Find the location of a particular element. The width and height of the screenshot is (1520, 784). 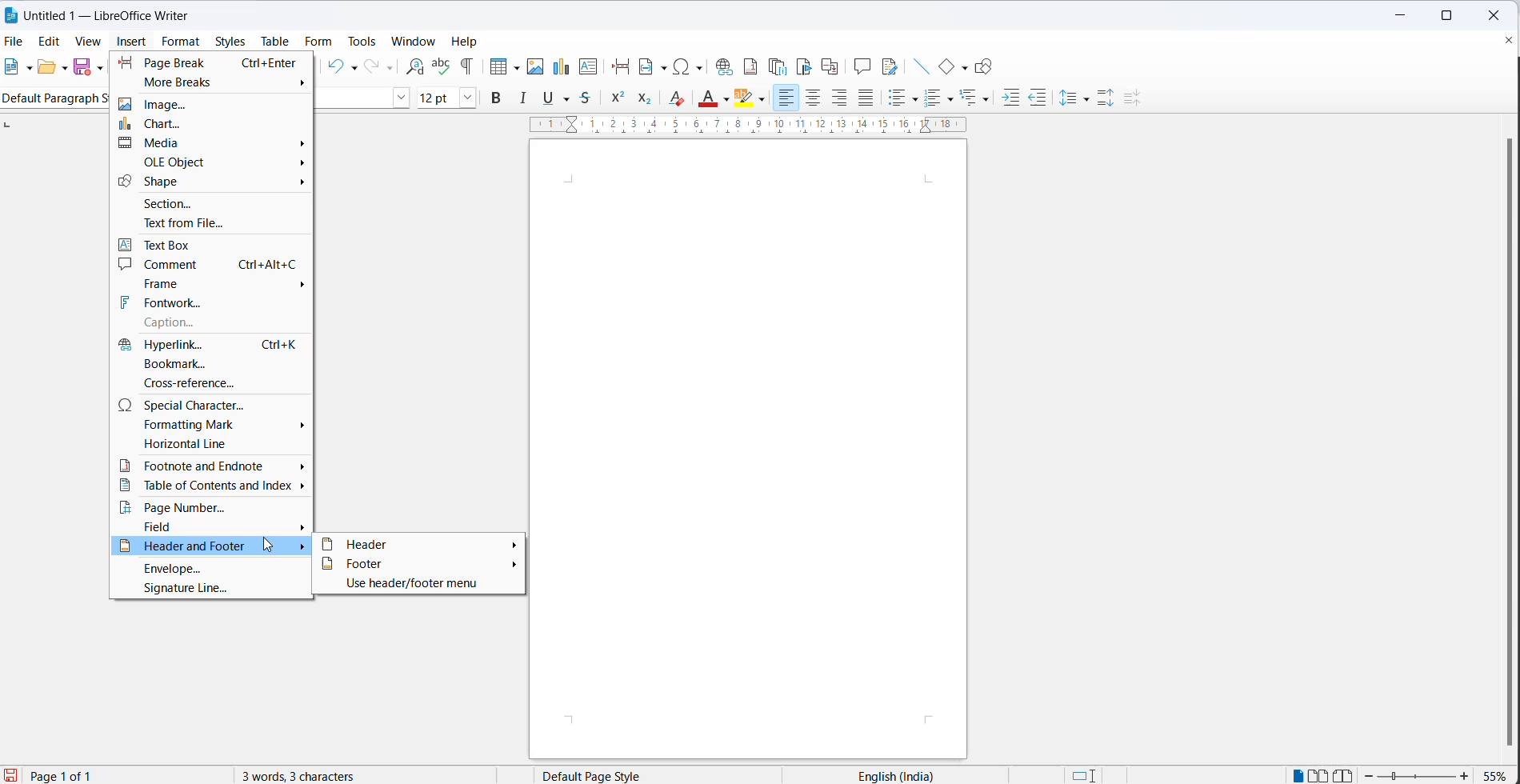

font size is located at coordinates (437, 98).